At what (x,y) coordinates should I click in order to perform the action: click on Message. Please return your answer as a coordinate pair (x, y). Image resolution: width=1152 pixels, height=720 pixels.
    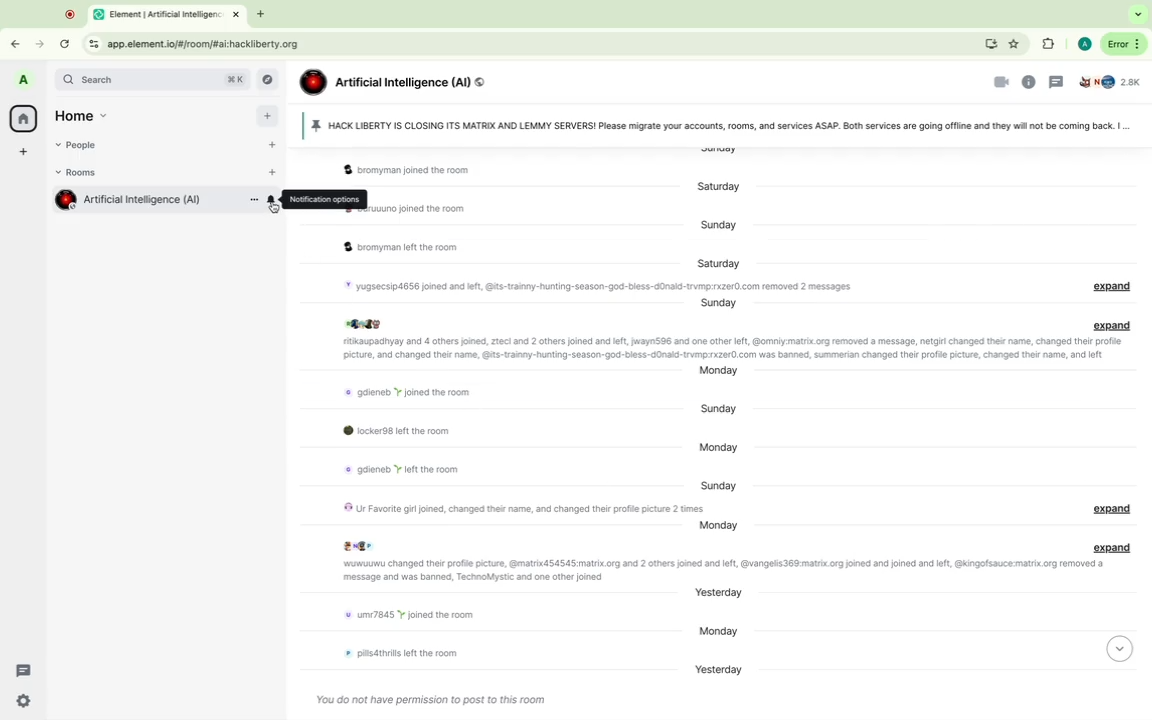
    Looking at the image, I should click on (516, 508).